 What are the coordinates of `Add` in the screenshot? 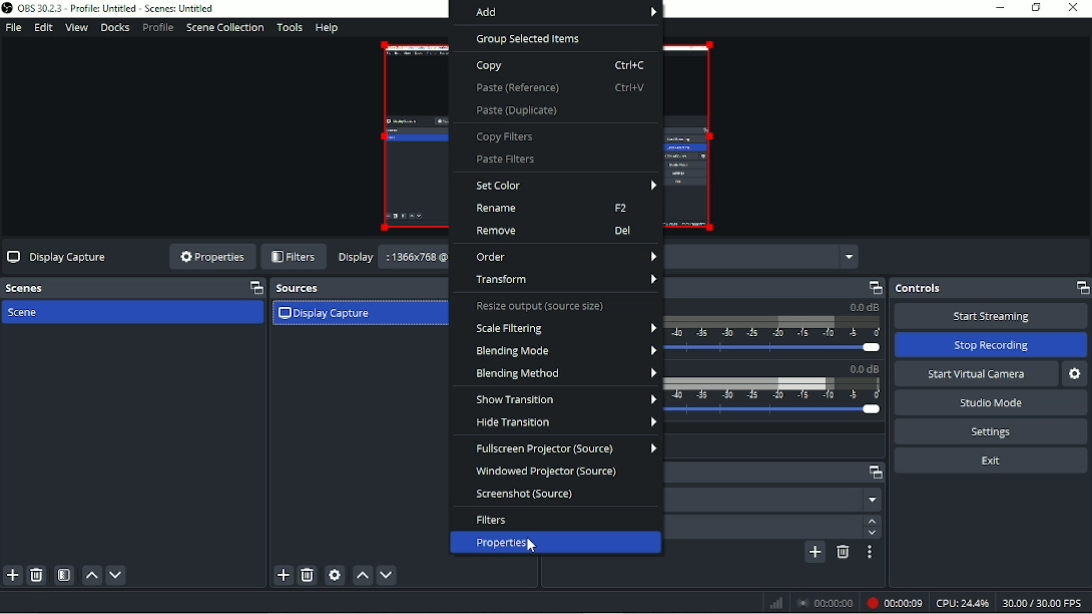 It's located at (557, 13).